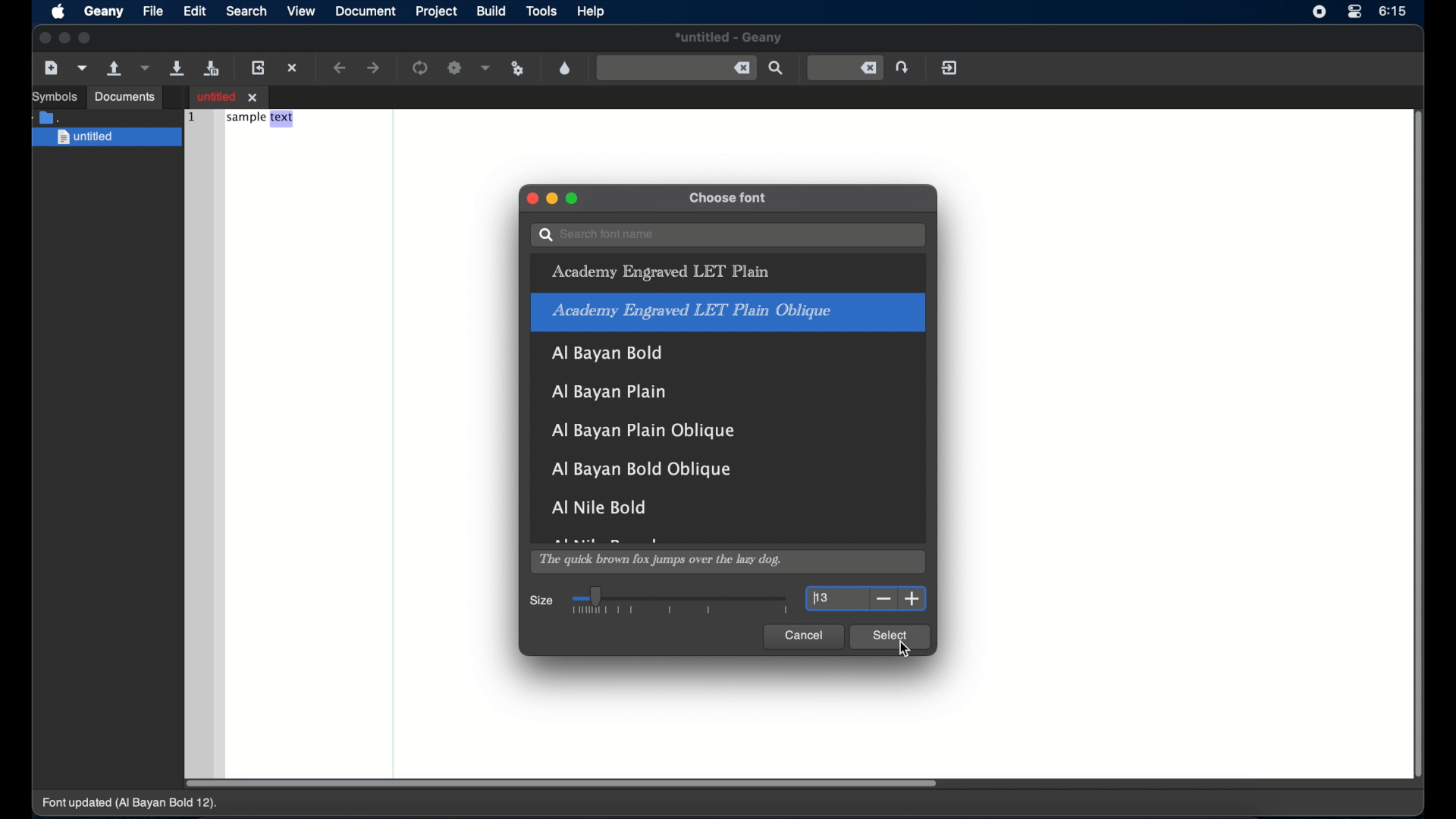 The image size is (1456, 819). What do you see at coordinates (906, 650) in the screenshot?
I see `cursor` at bounding box center [906, 650].